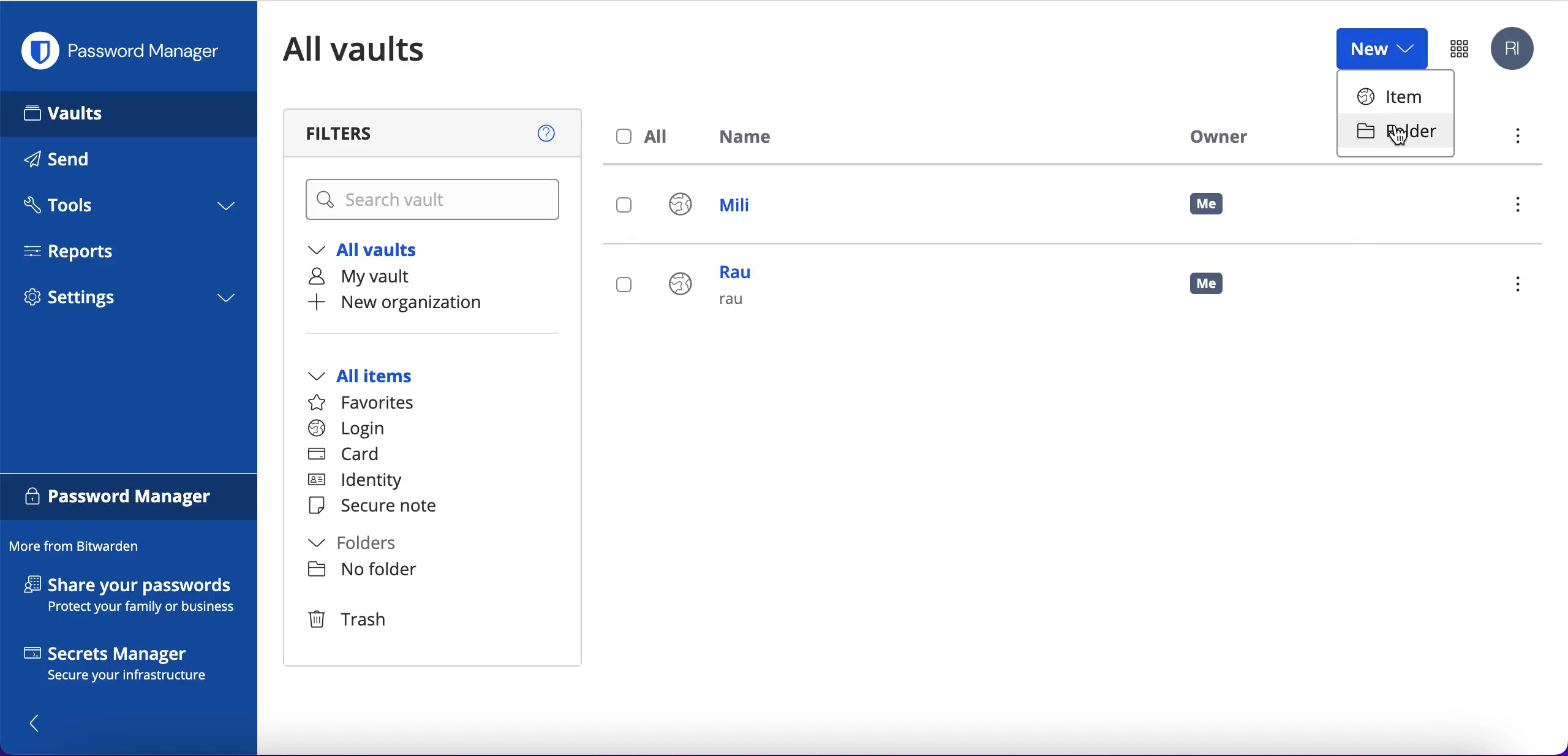 This screenshot has height=756, width=1568. I want to click on show/hide panel, so click(41, 722).